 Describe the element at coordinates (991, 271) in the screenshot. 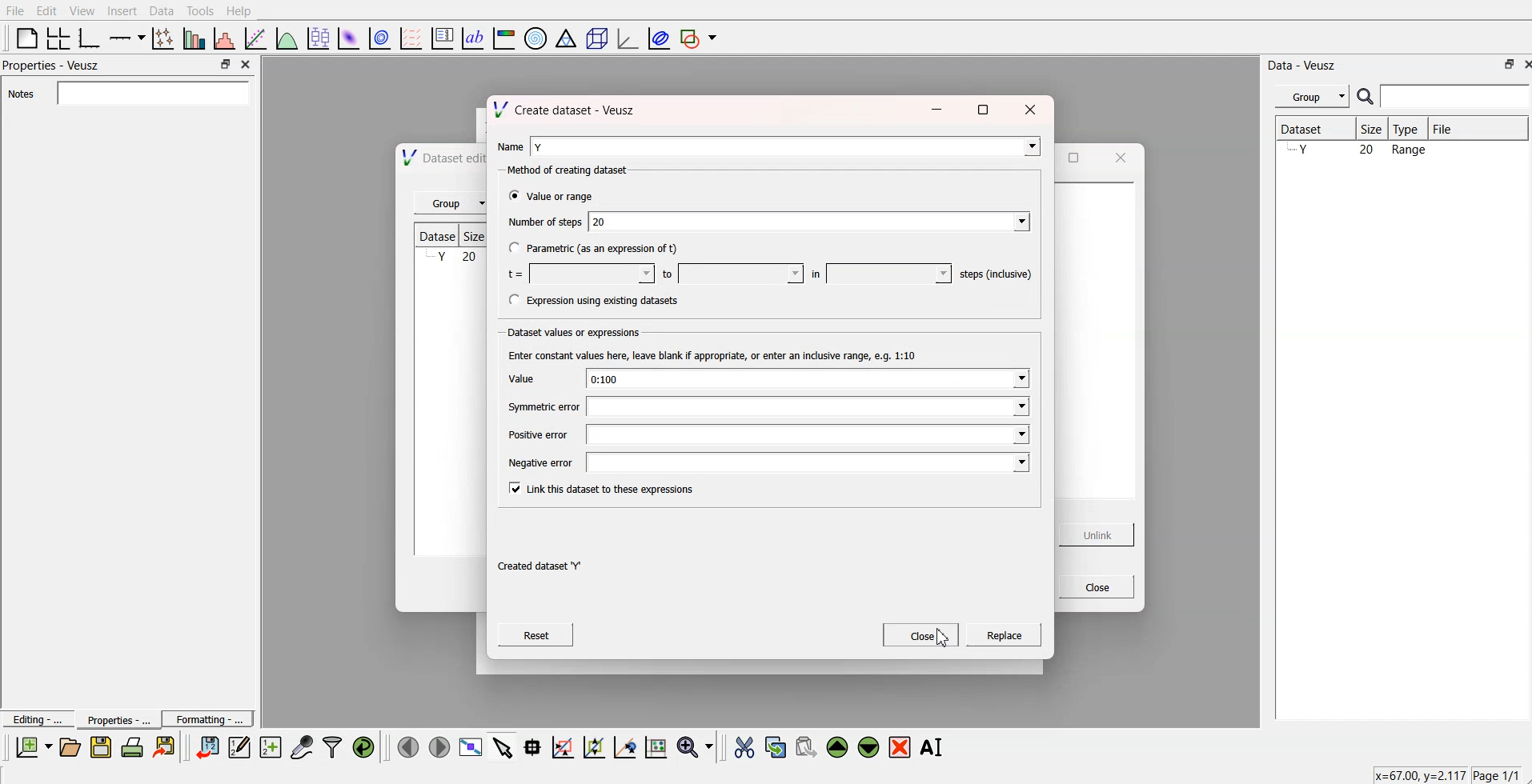

I see `steps (inclusive` at that location.